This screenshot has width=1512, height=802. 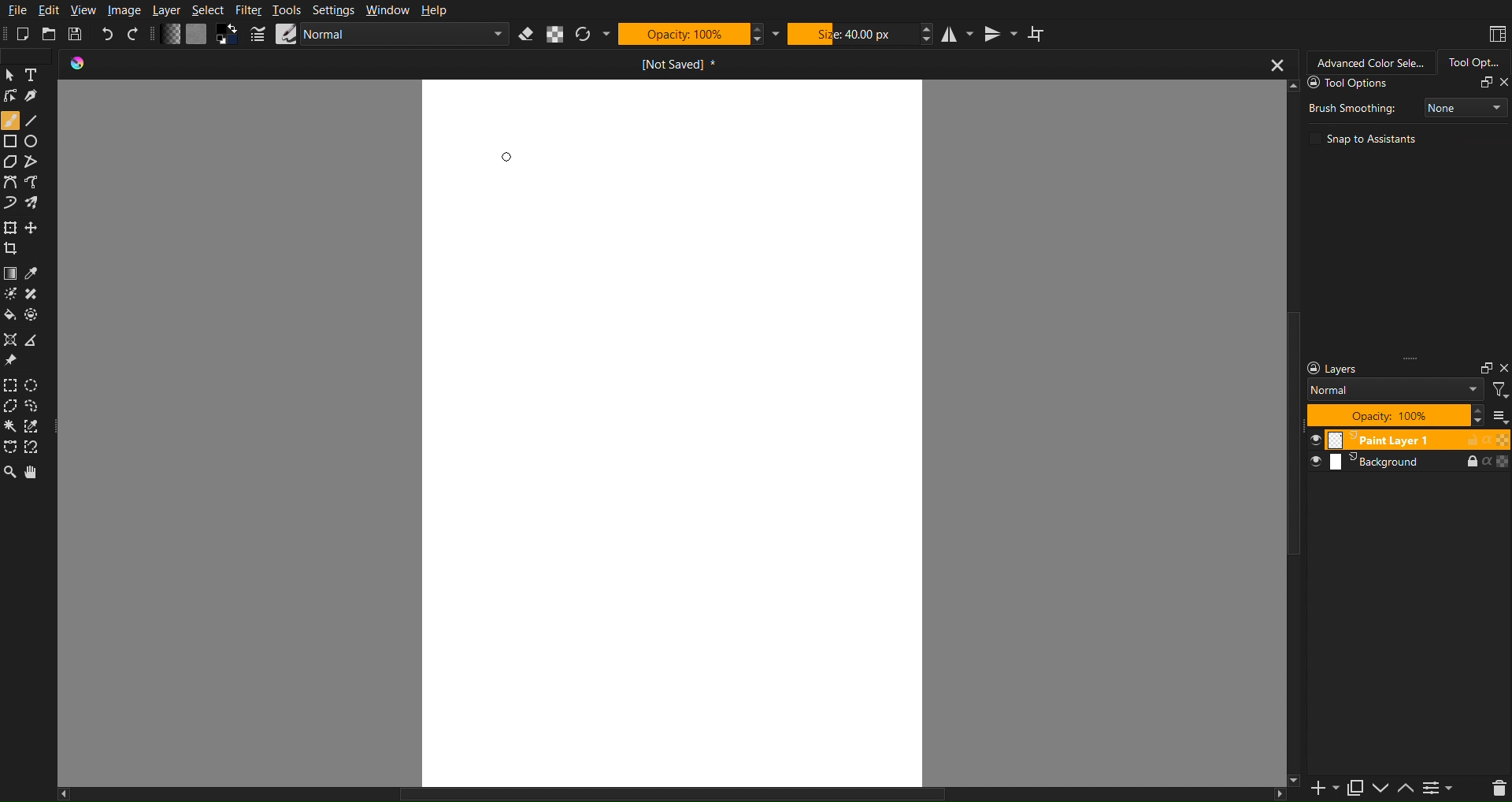 What do you see at coordinates (11, 472) in the screenshot?
I see `Zoom` at bounding box center [11, 472].